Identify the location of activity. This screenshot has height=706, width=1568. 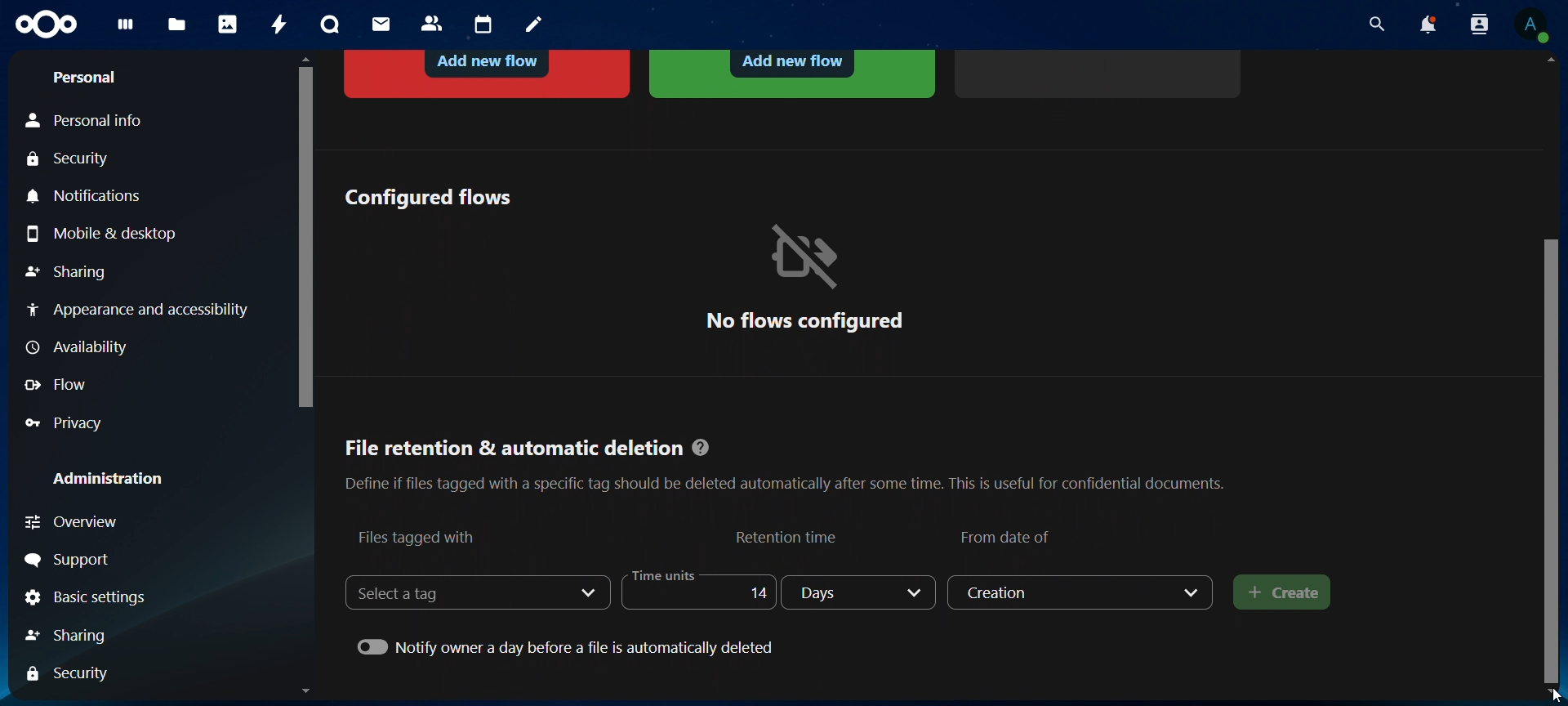
(281, 25).